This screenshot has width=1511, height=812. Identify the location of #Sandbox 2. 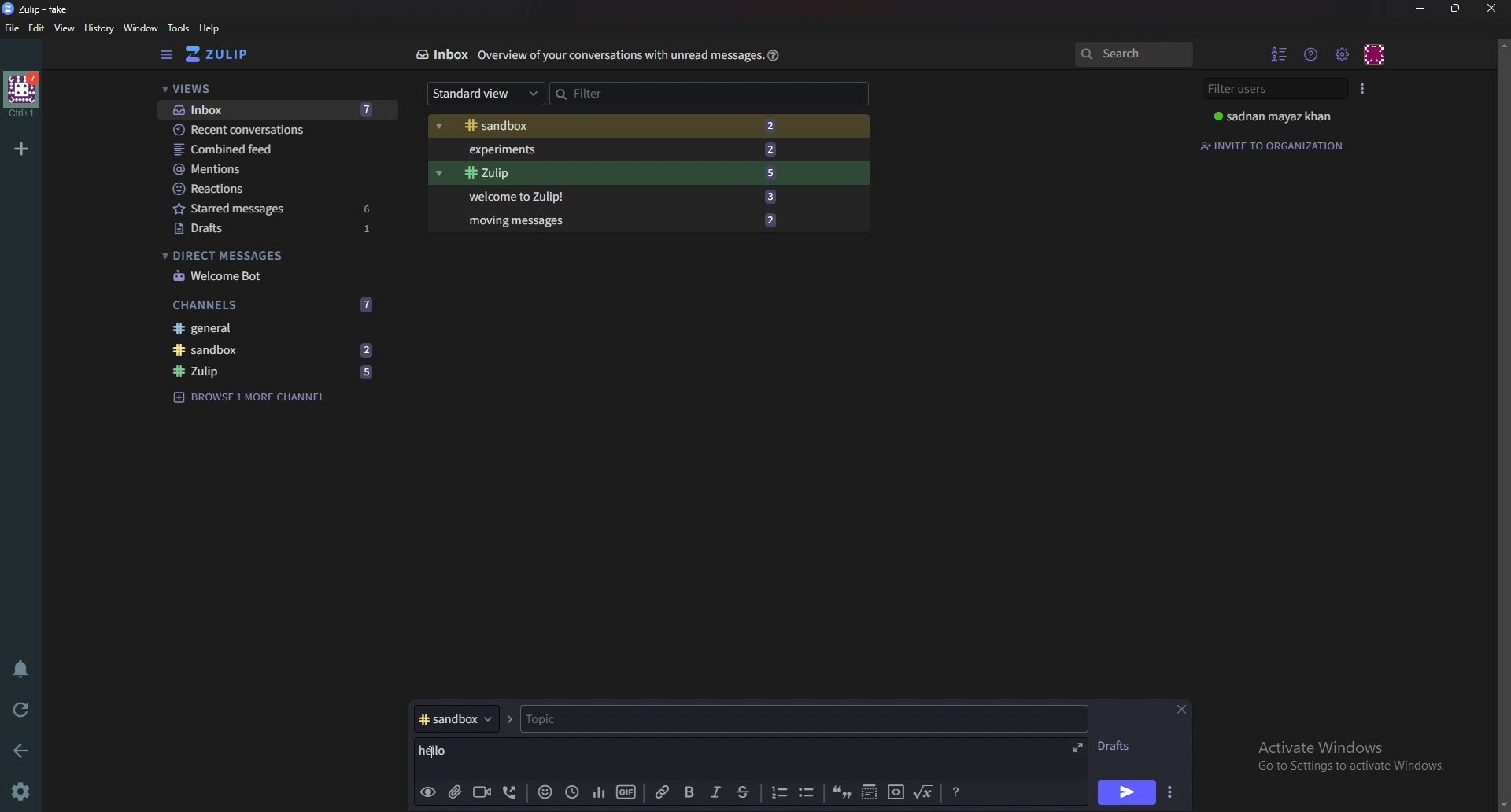
(615, 125).